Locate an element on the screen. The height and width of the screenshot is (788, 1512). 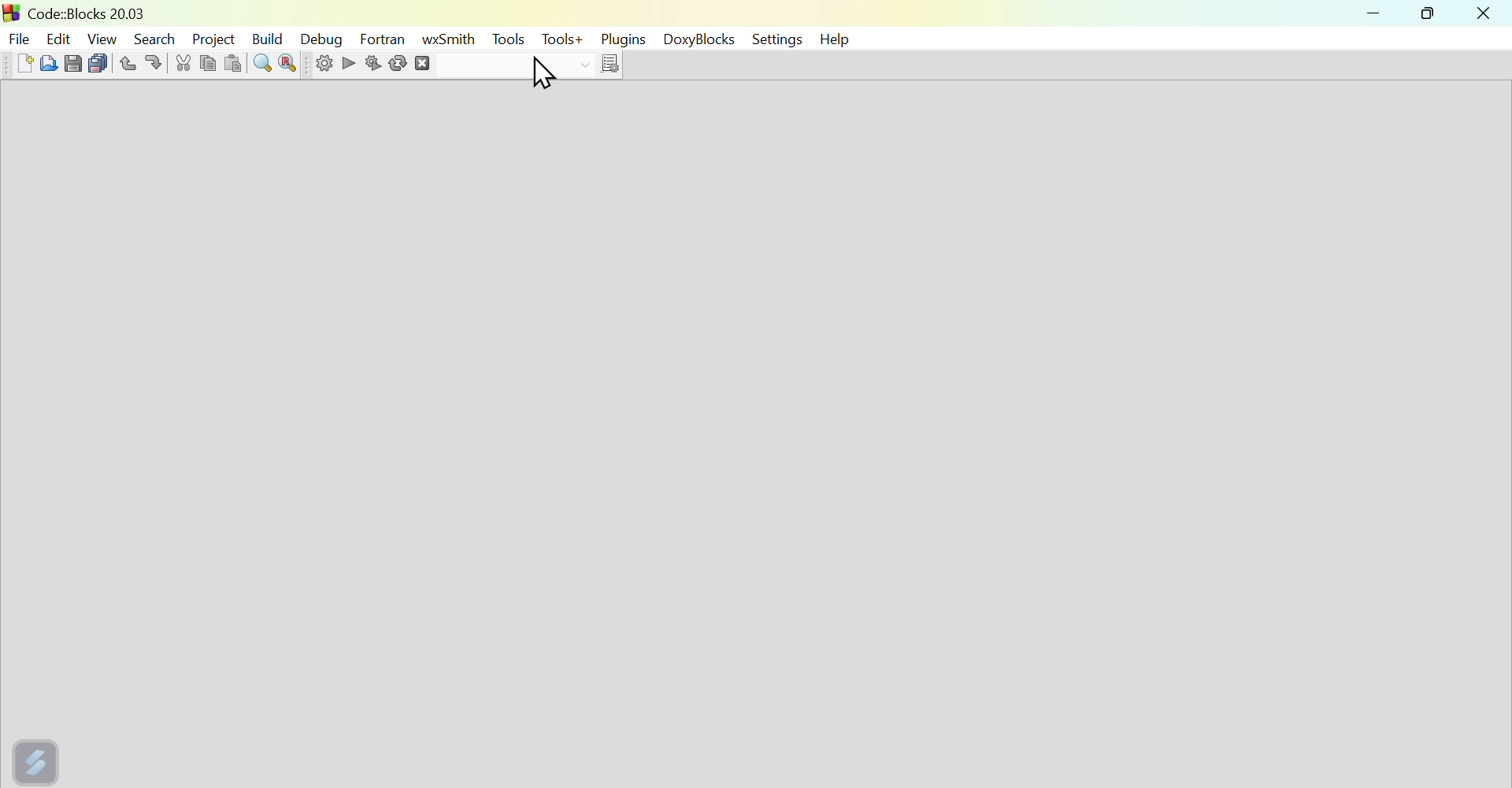
 is located at coordinates (508, 39).